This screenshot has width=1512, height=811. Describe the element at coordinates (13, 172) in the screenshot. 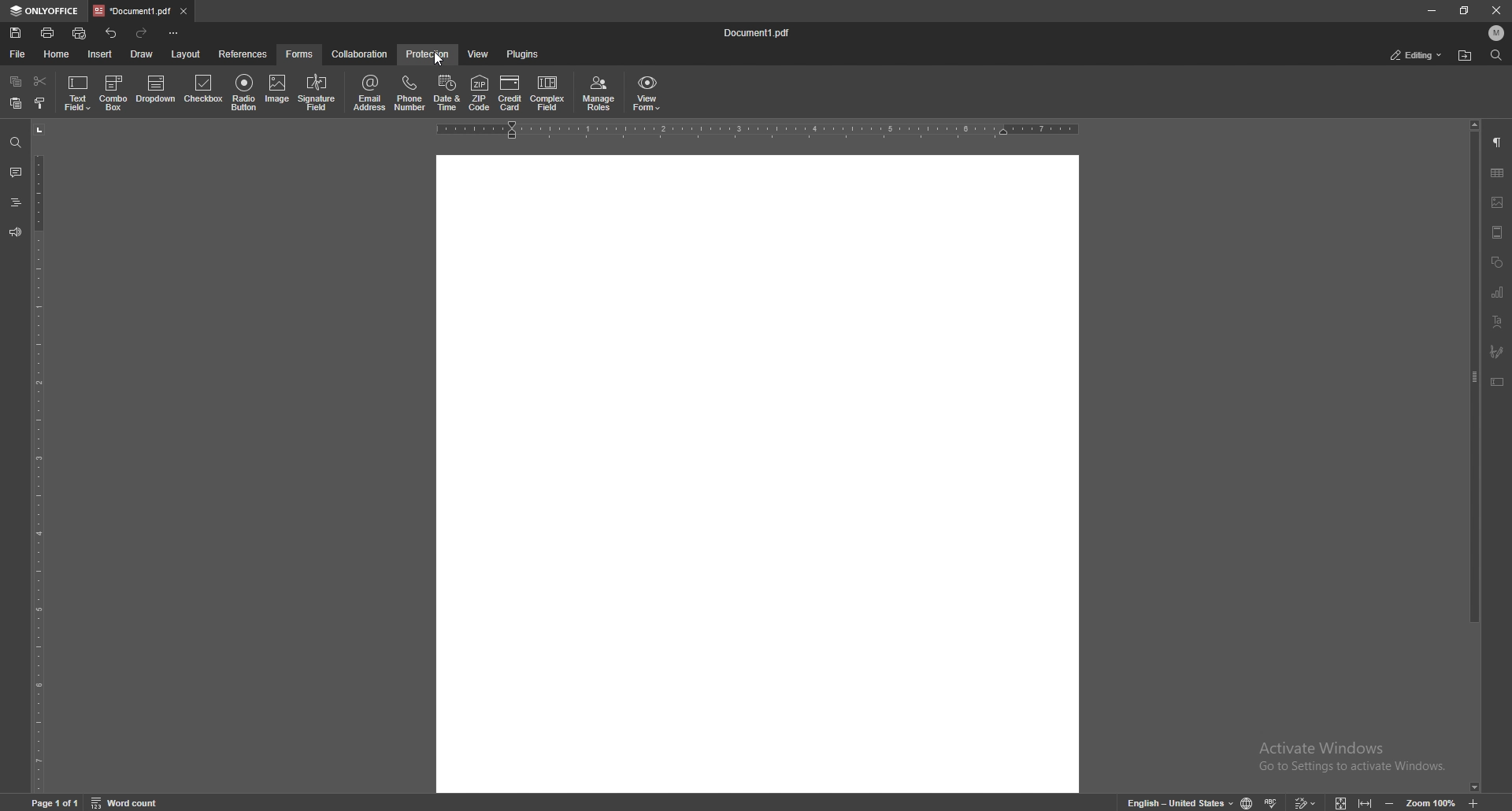

I see `comment` at that location.